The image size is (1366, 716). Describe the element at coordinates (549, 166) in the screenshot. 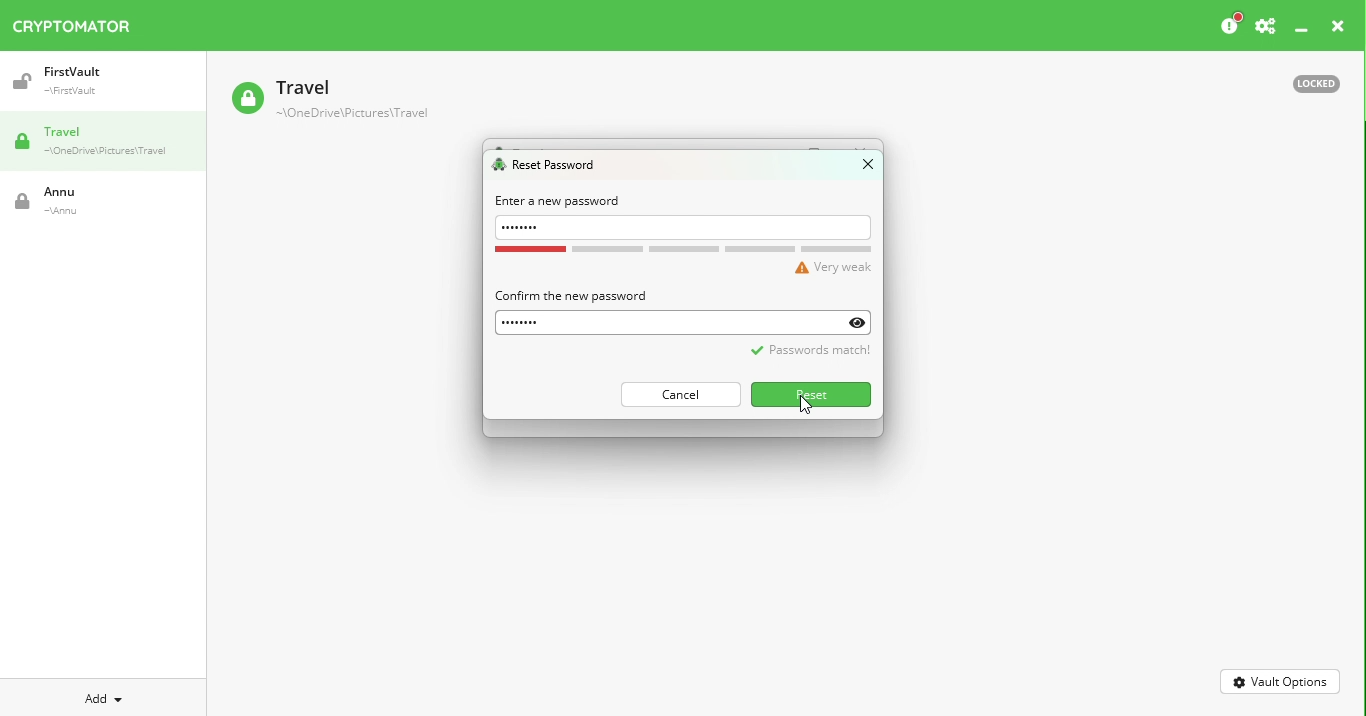

I see `Reset password` at that location.